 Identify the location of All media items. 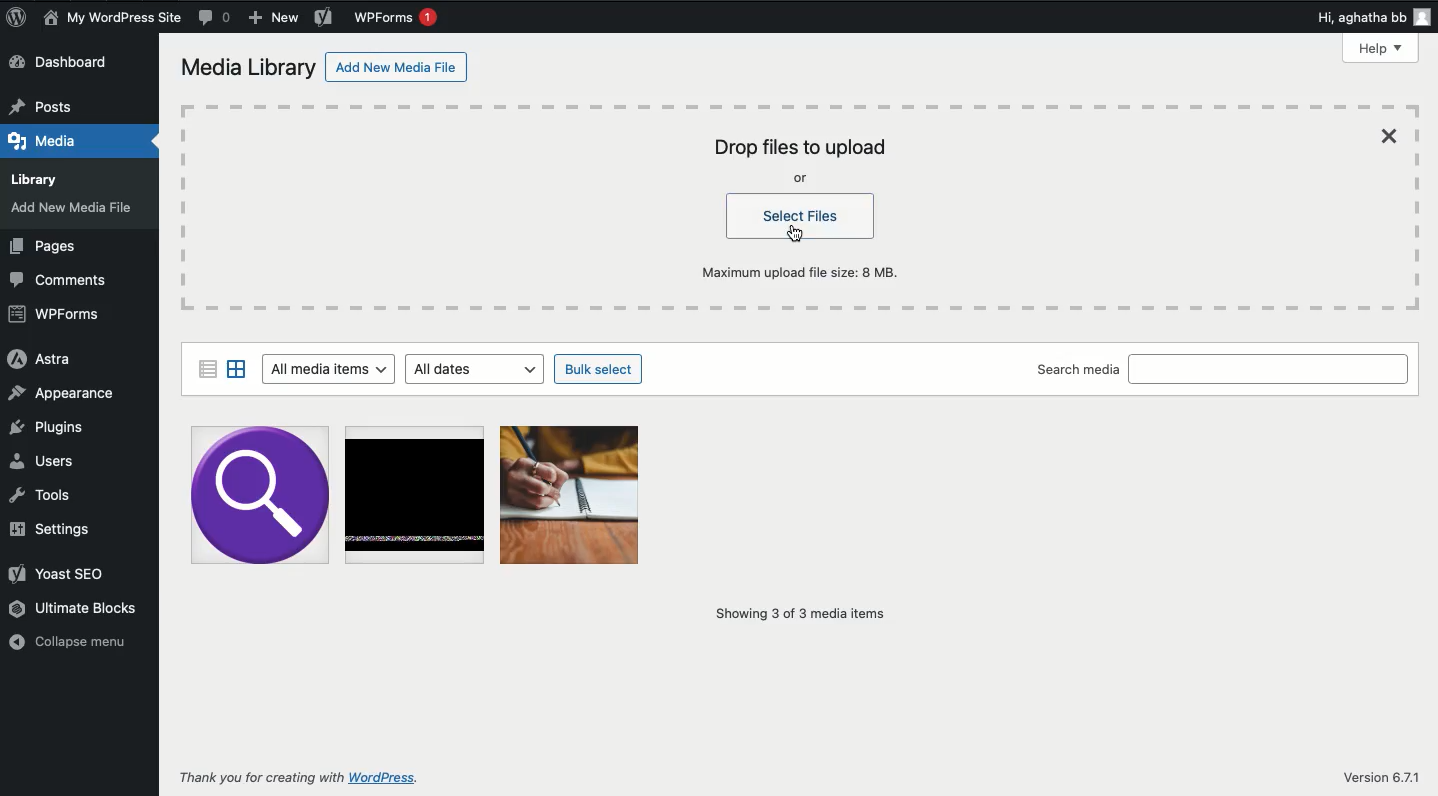
(327, 370).